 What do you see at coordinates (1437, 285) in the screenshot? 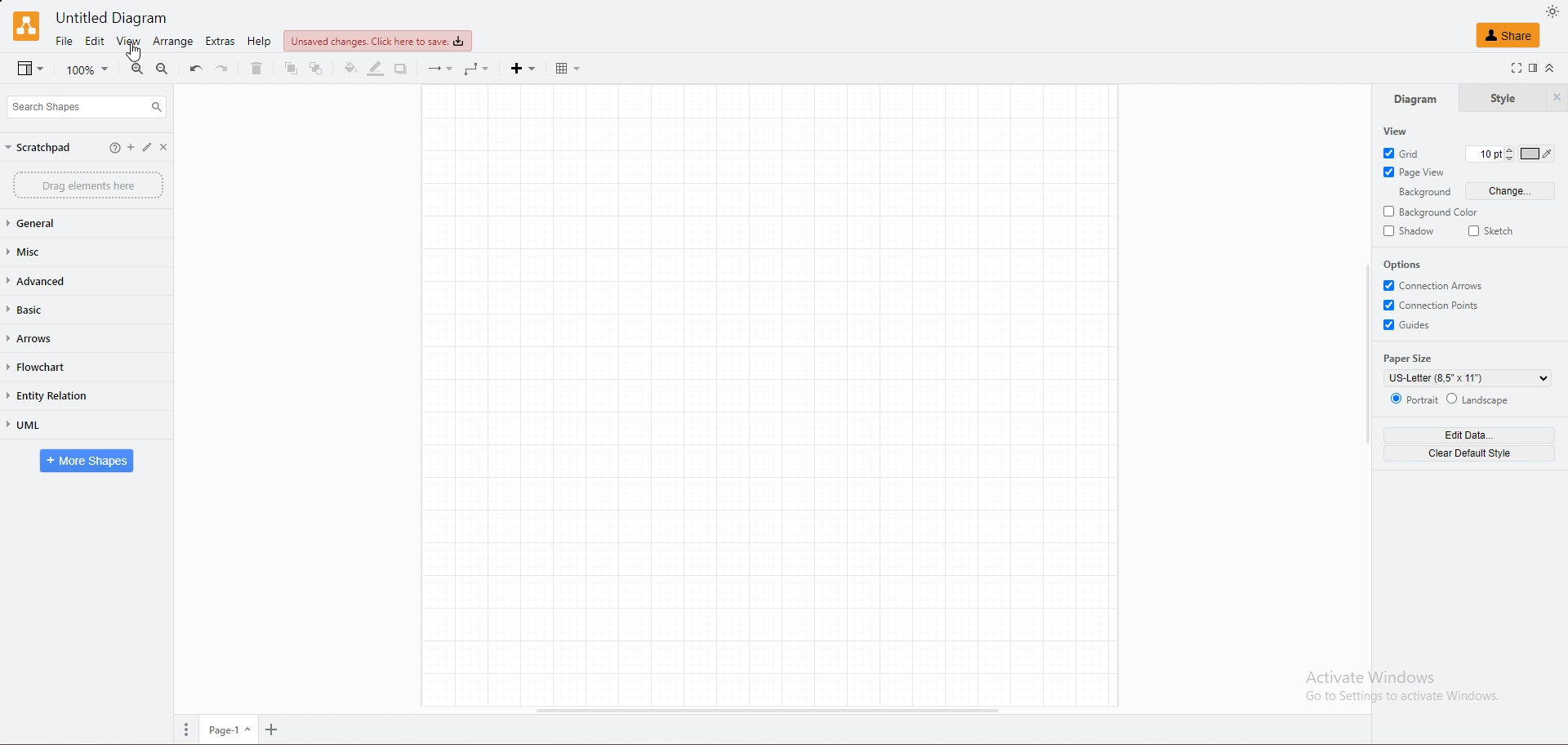
I see `connection arrows` at bounding box center [1437, 285].